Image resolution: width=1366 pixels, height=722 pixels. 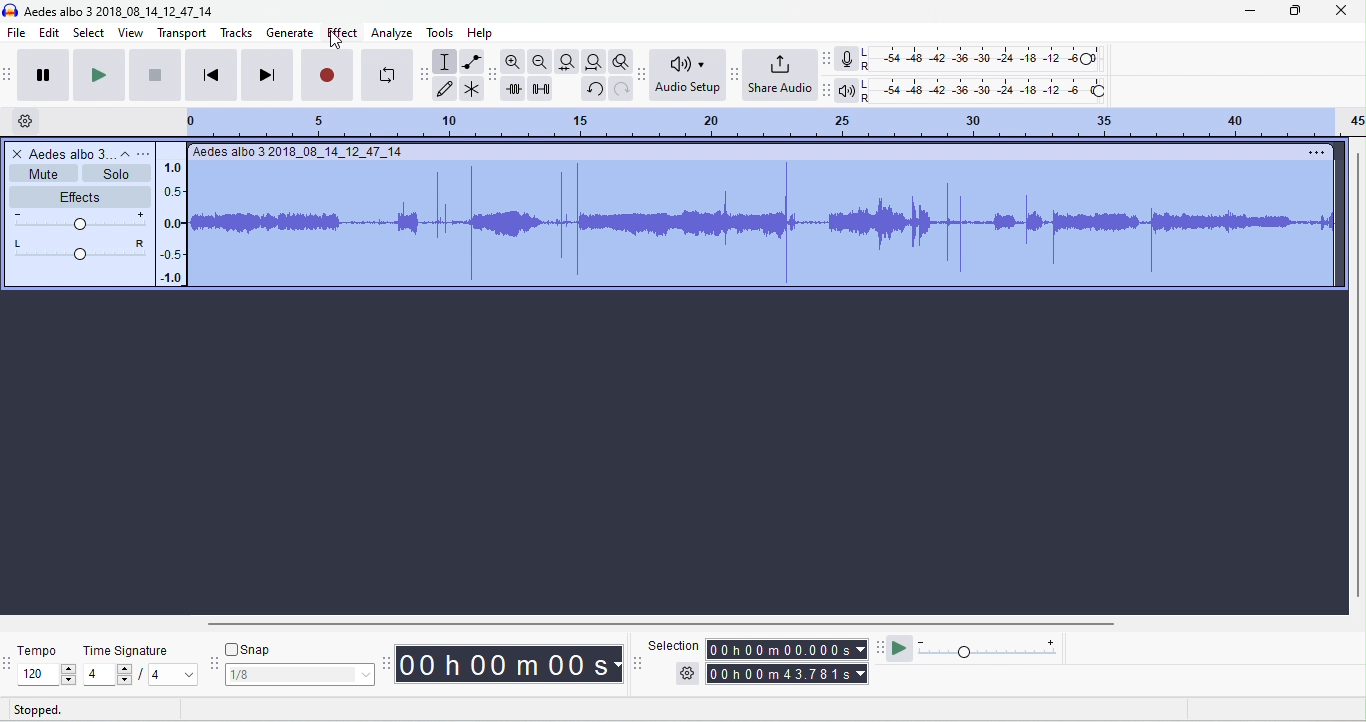 What do you see at coordinates (866, 67) in the screenshot?
I see `R` at bounding box center [866, 67].